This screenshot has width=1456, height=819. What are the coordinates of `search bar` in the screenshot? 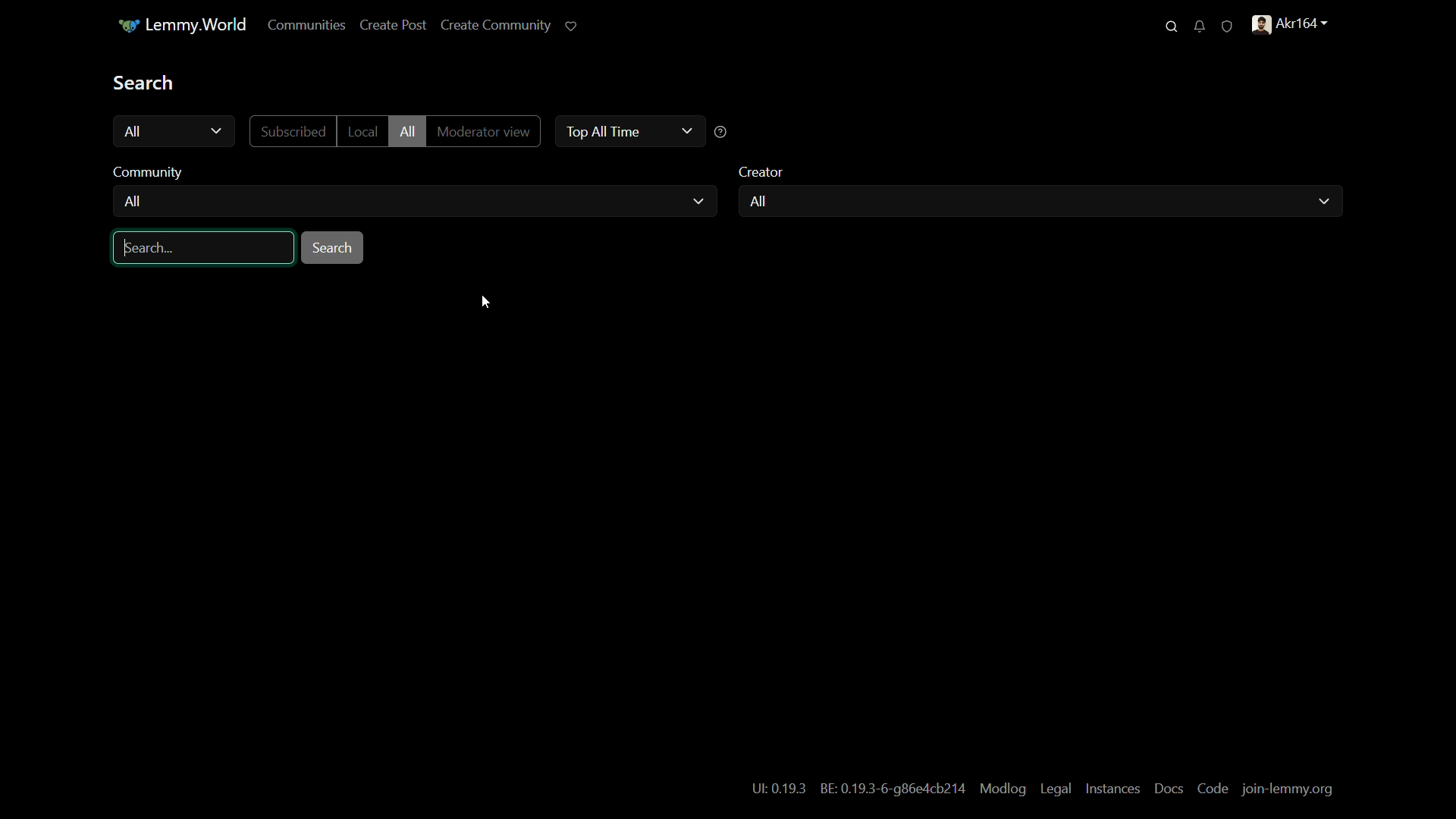 It's located at (202, 248).